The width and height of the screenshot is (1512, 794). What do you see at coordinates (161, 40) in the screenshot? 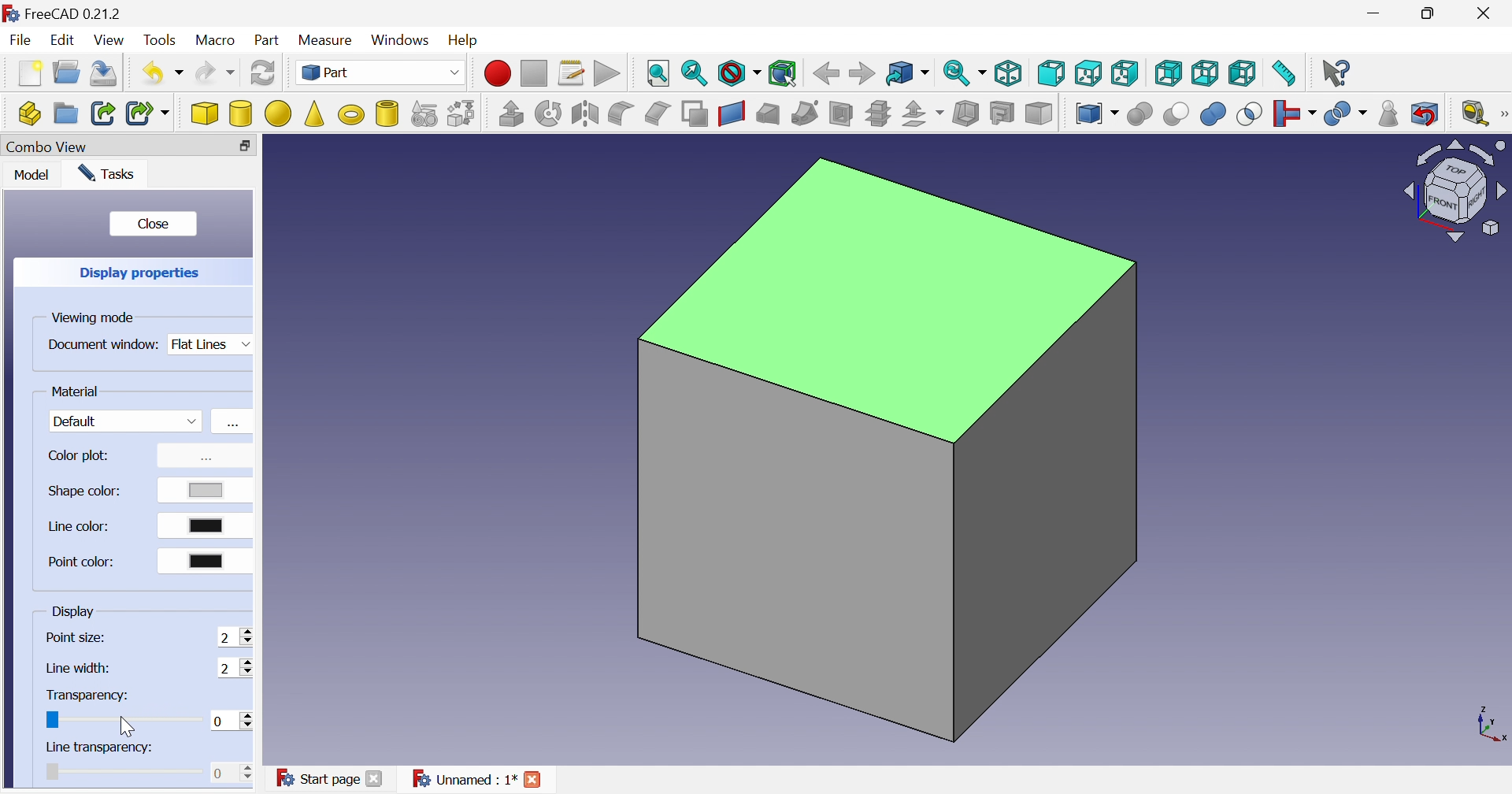
I see `Tools` at bounding box center [161, 40].